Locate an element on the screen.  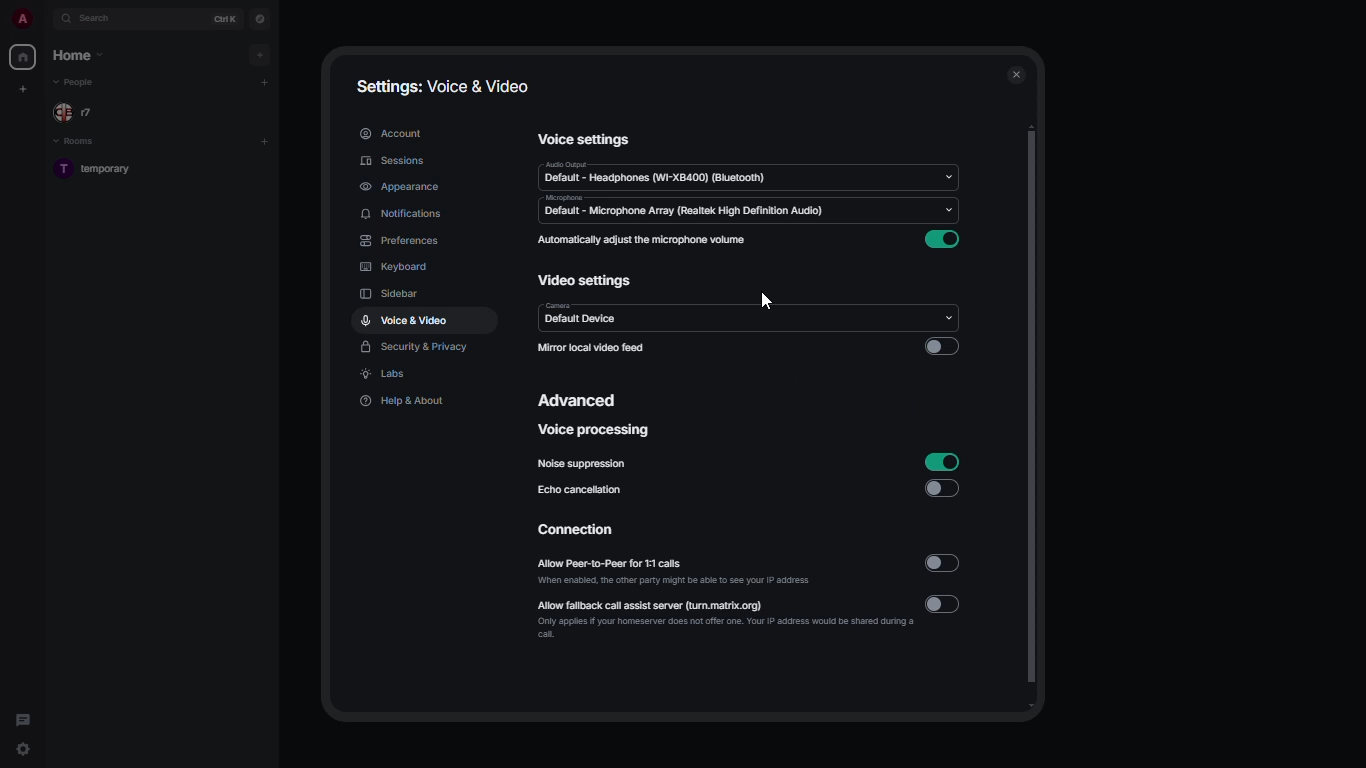
enabled is located at coordinates (945, 240).